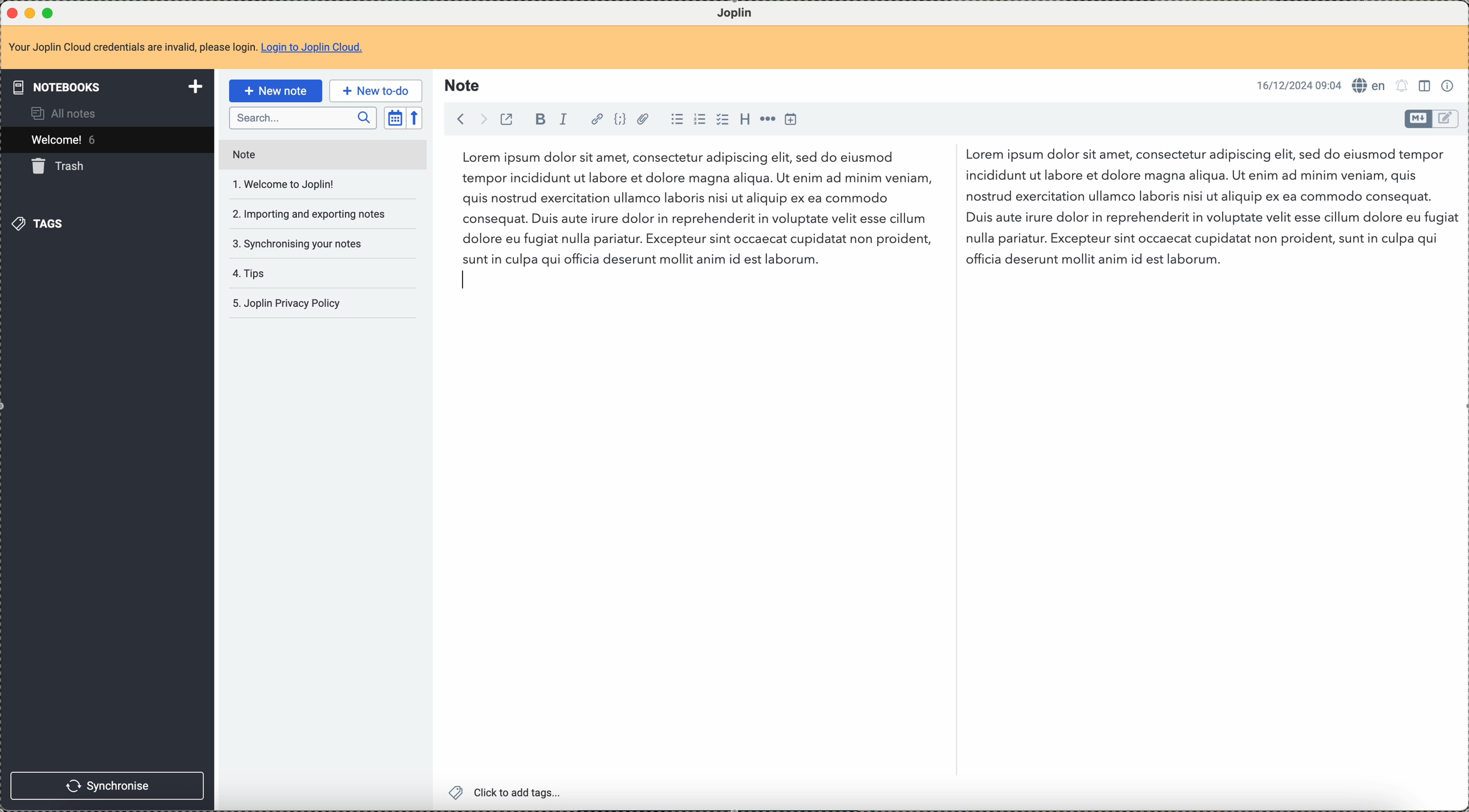 This screenshot has width=1469, height=812. I want to click on en, so click(1371, 86).